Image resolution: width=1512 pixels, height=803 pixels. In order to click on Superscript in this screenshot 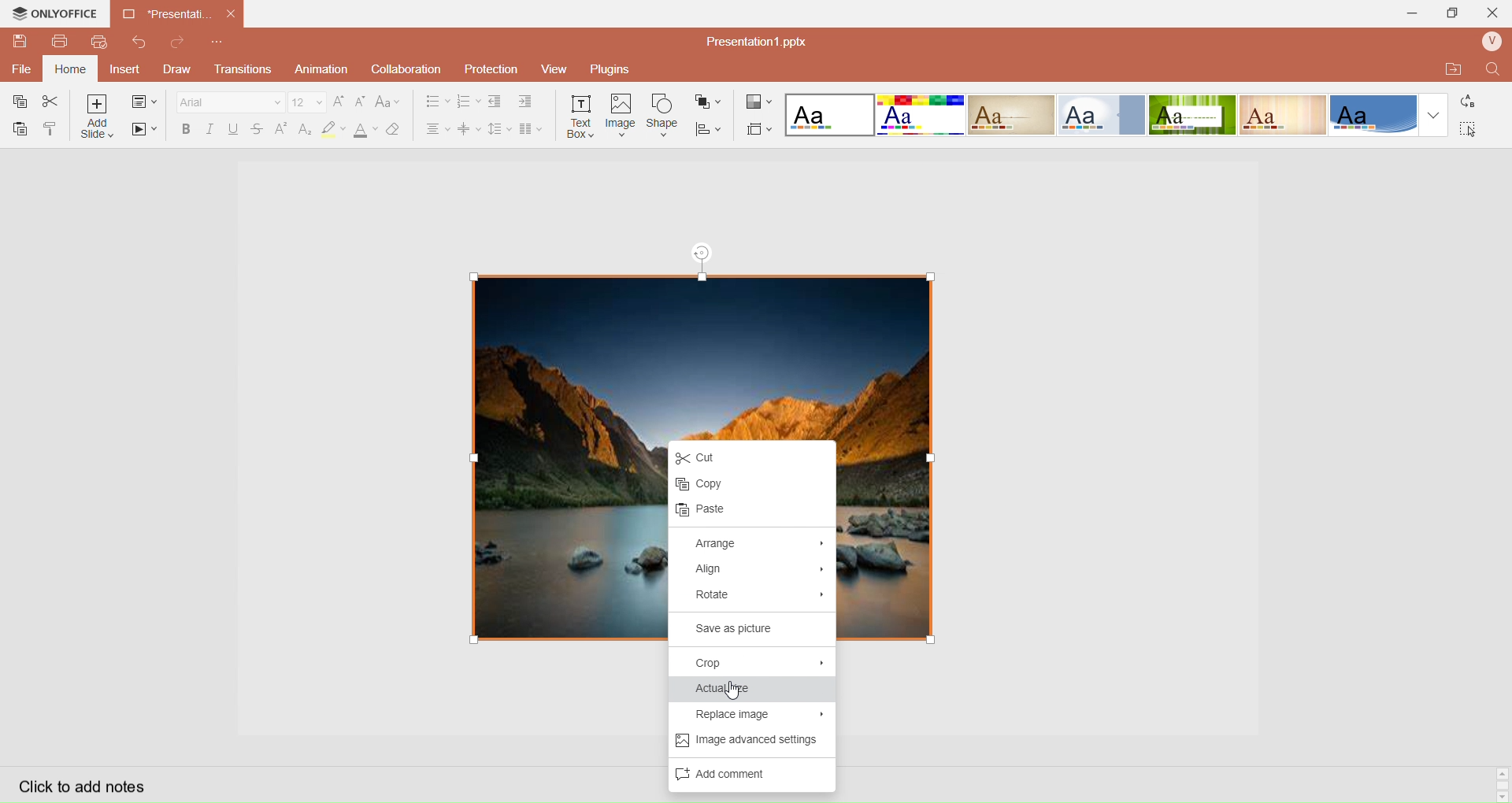, I will do `click(281, 129)`.